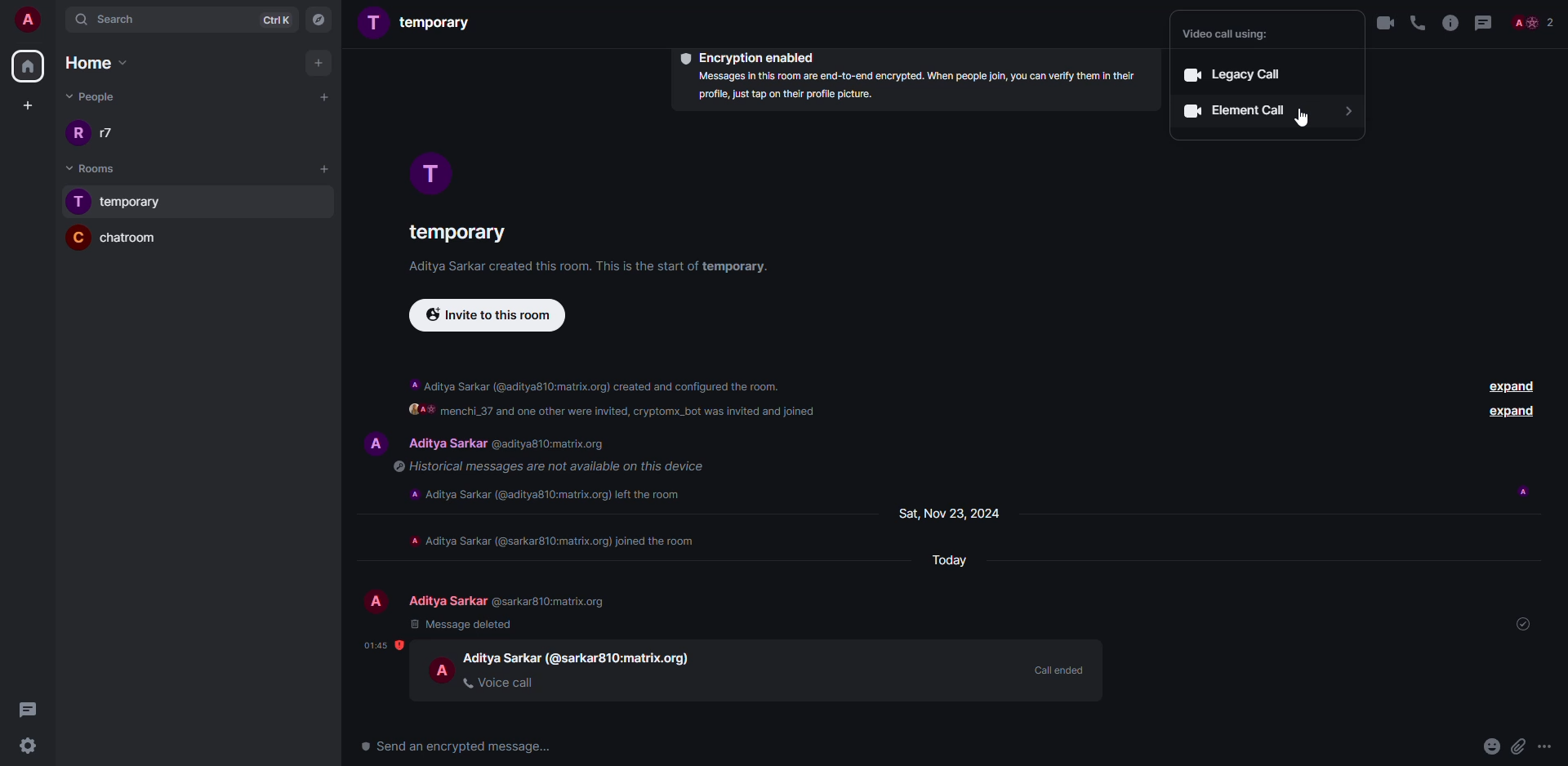  What do you see at coordinates (111, 133) in the screenshot?
I see `people` at bounding box center [111, 133].